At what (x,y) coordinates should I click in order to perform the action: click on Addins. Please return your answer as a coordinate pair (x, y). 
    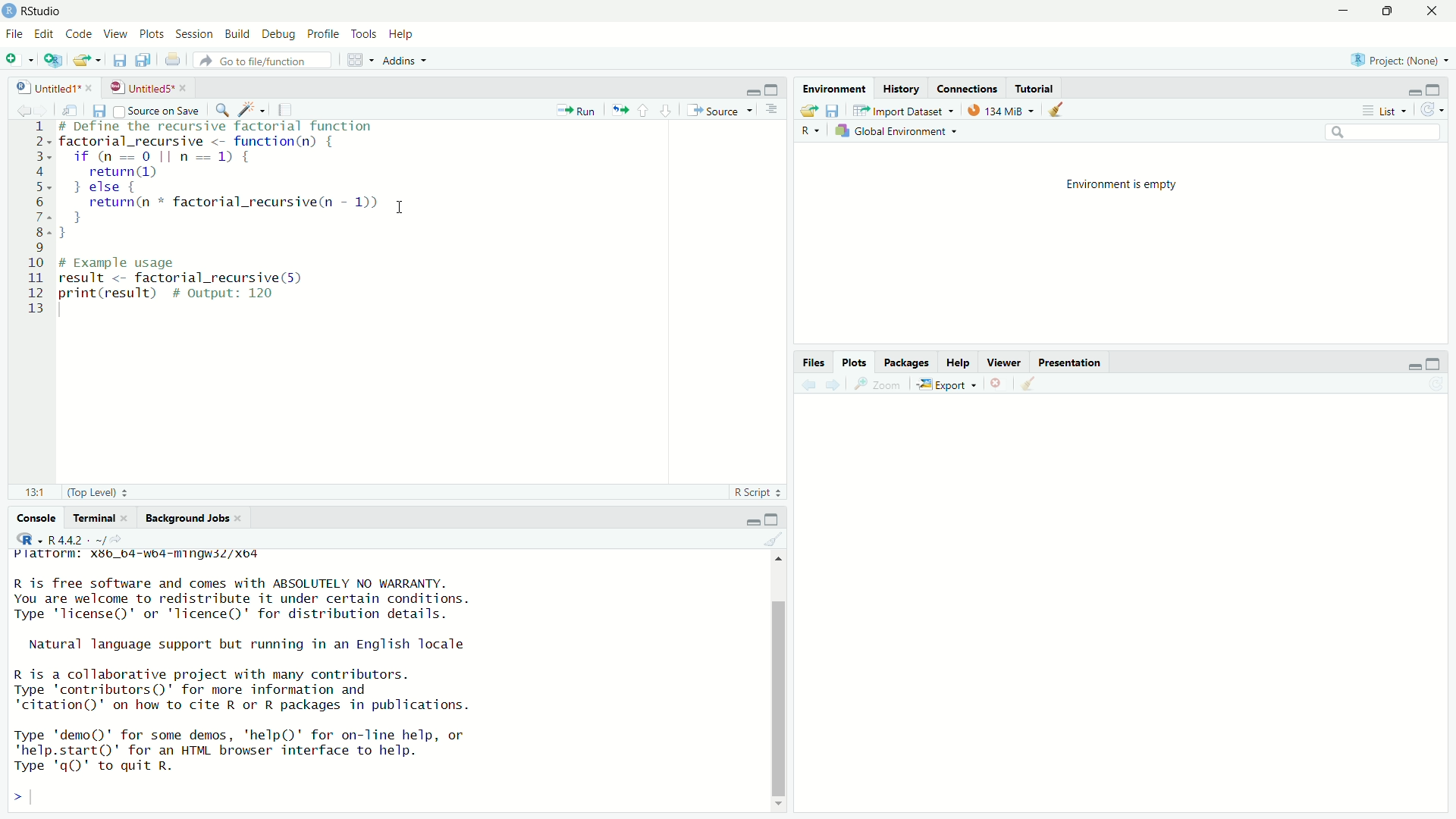
    Looking at the image, I should click on (412, 61).